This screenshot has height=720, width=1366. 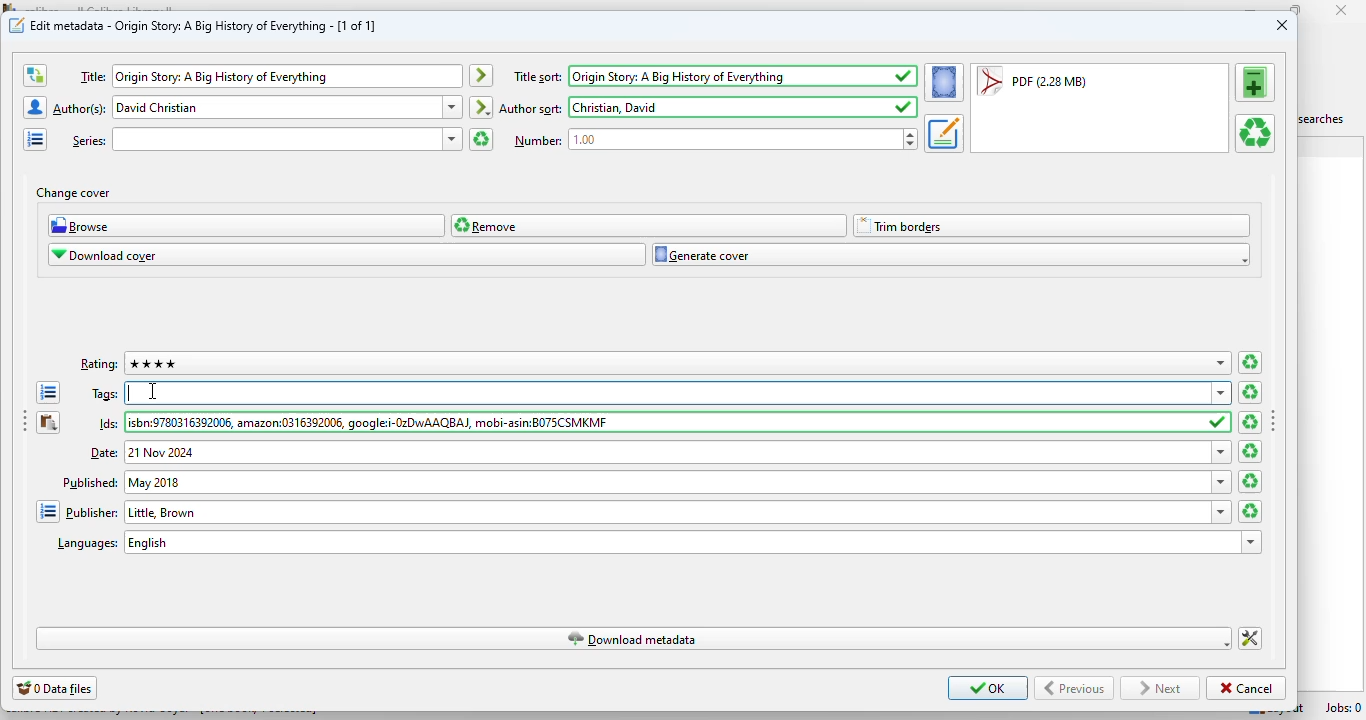 What do you see at coordinates (453, 106) in the screenshot?
I see `dropdown` at bounding box center [453, 106].